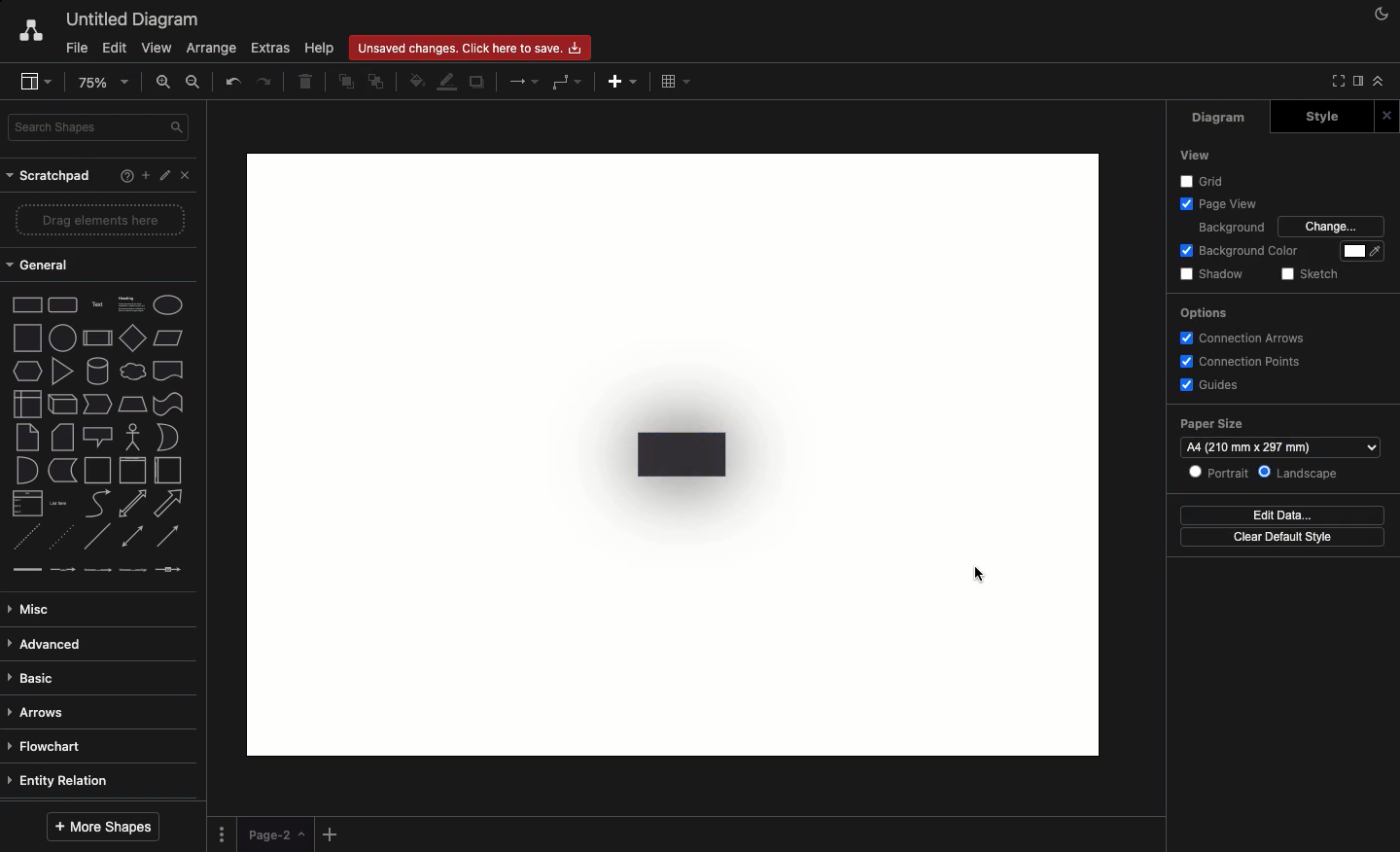 Image resolution: width=1400 pixels, height=852 pixels. What do you see at coordinates (1386, 116) in the screenshot?
I see `Close` at bounding box center [1386, 116].